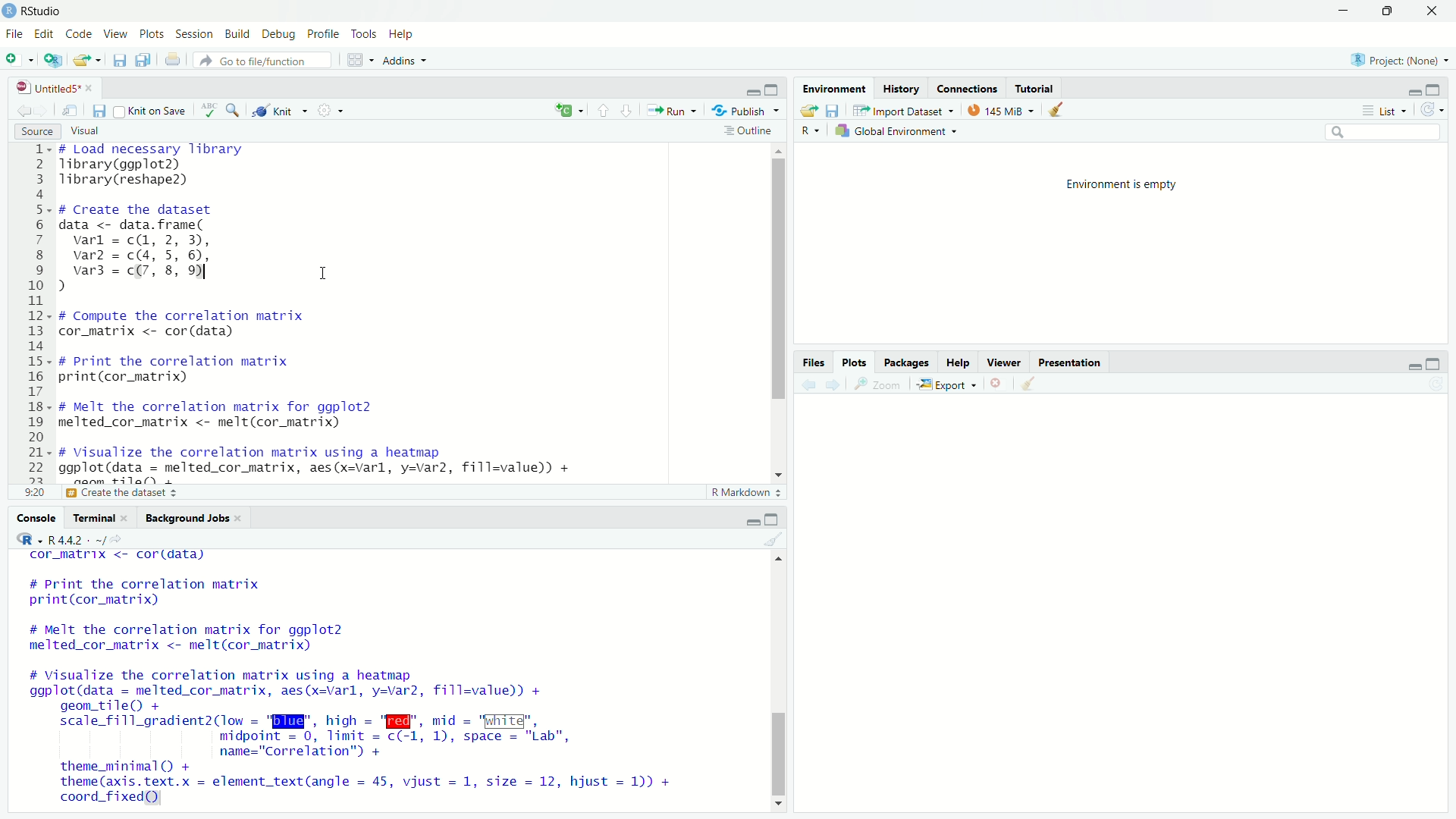  What do you see at coordinates (119, 60) in the screenshot?
I see `save current file` at bounding box center [119, 60].